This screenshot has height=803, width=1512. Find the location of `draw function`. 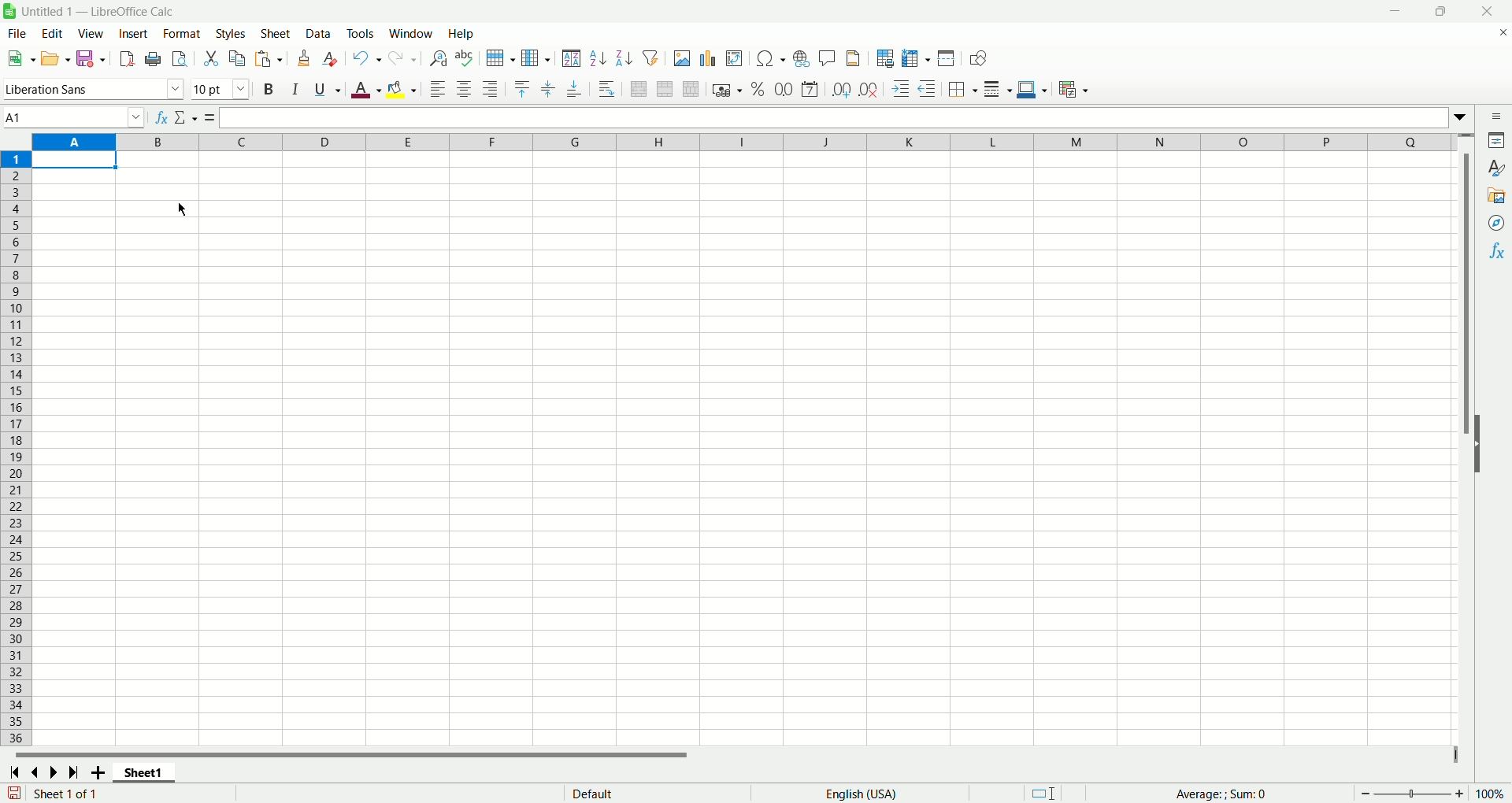

draw function is located at coordinates (981, 58).